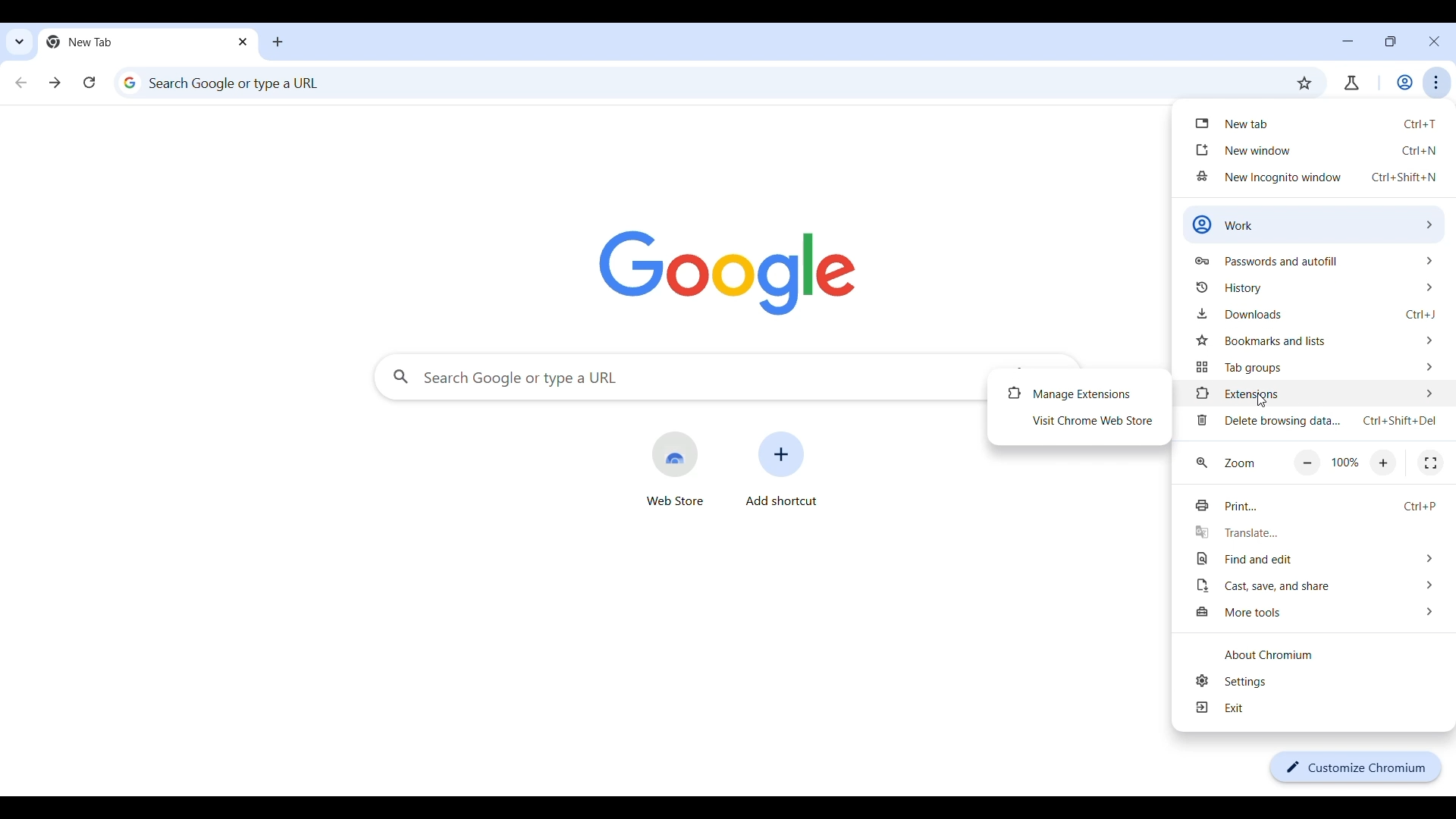  Describe the element at coordinates (278, 42) in the screenshot. I see `Add new tab` at that location.